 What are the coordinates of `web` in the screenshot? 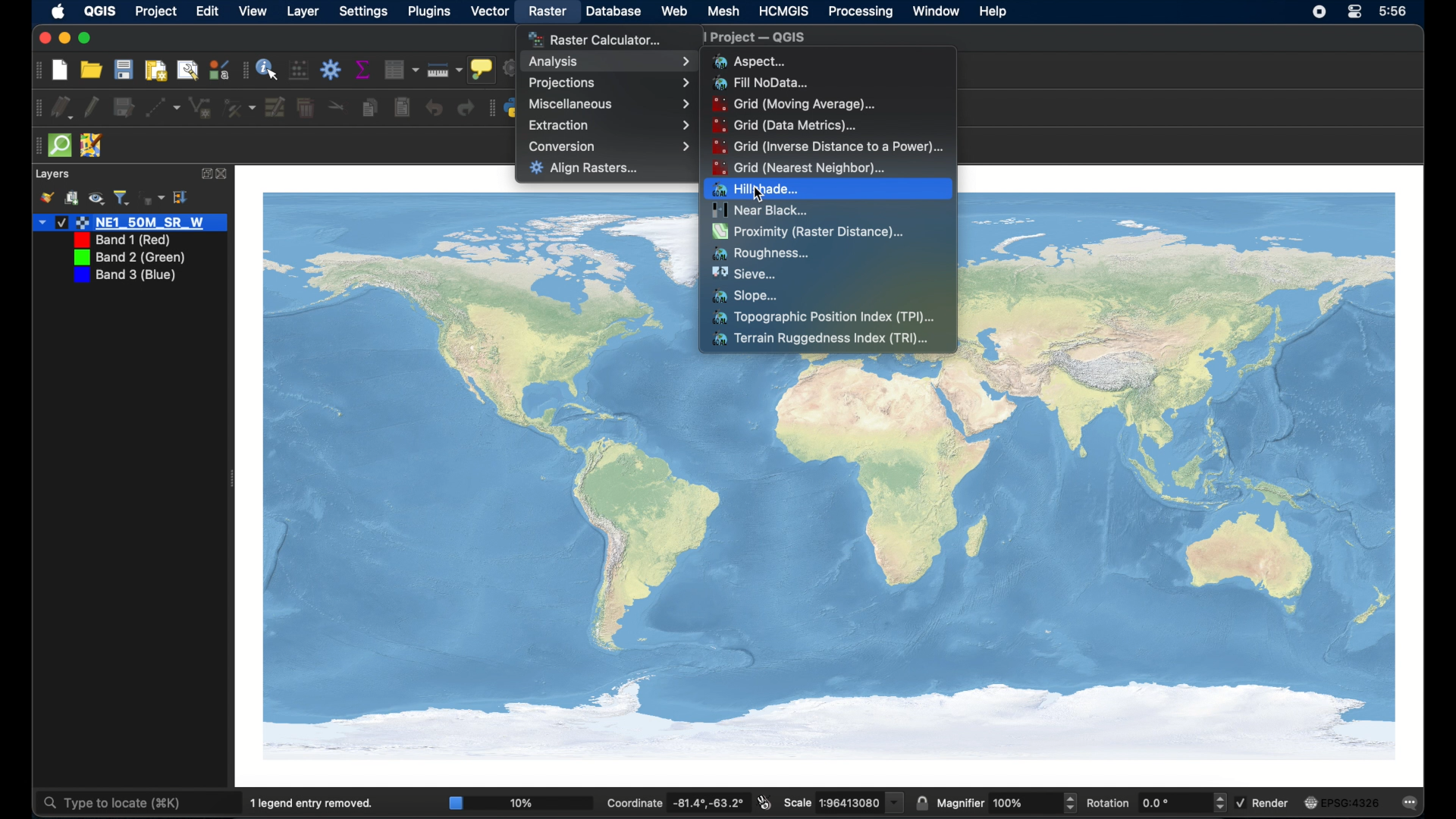 It's located at (675, 11).